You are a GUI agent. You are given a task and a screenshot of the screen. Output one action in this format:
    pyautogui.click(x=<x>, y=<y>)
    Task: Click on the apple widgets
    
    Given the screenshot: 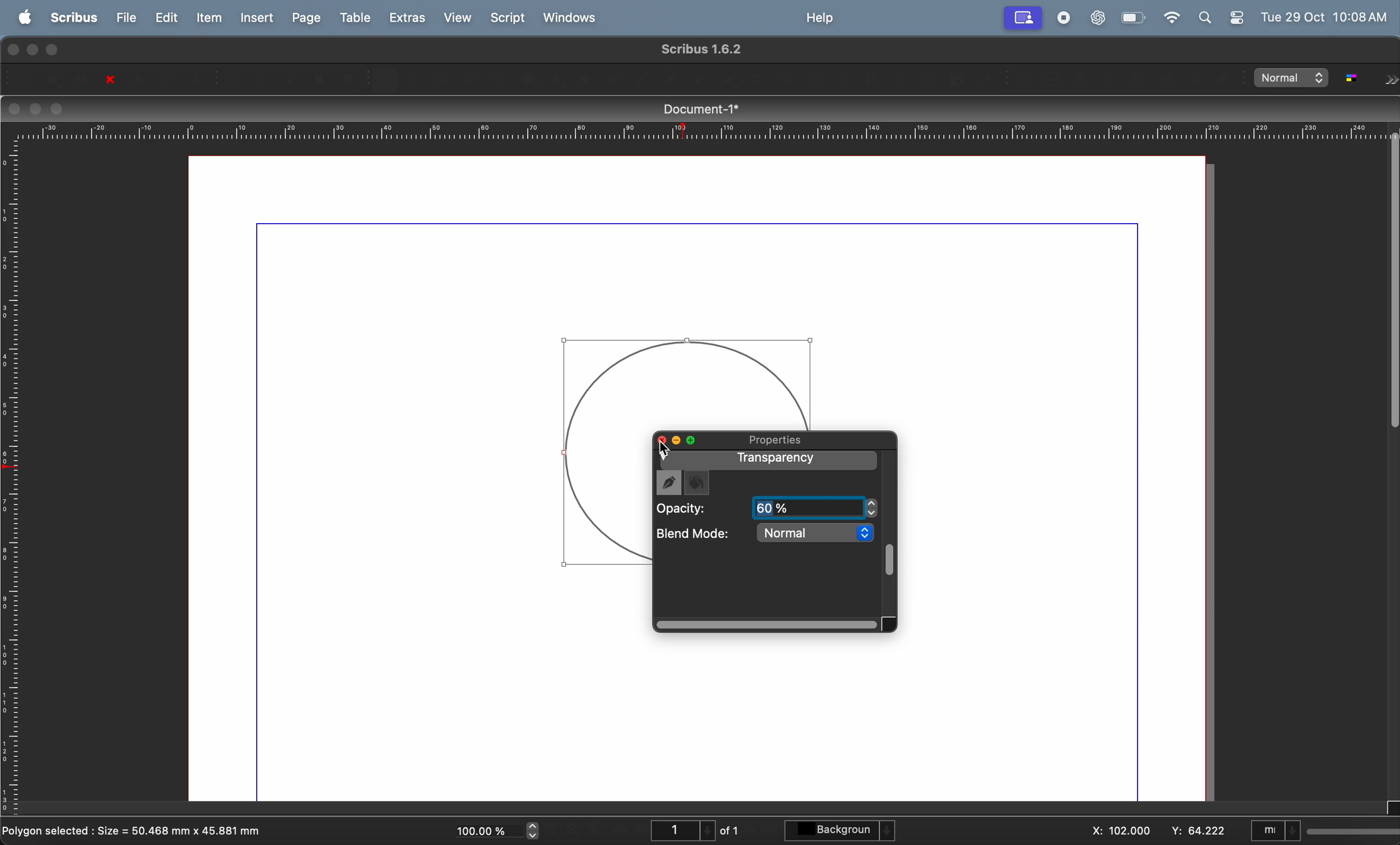 What is the action you would take?
    pyautogui.click(x=1223, y=16)
    